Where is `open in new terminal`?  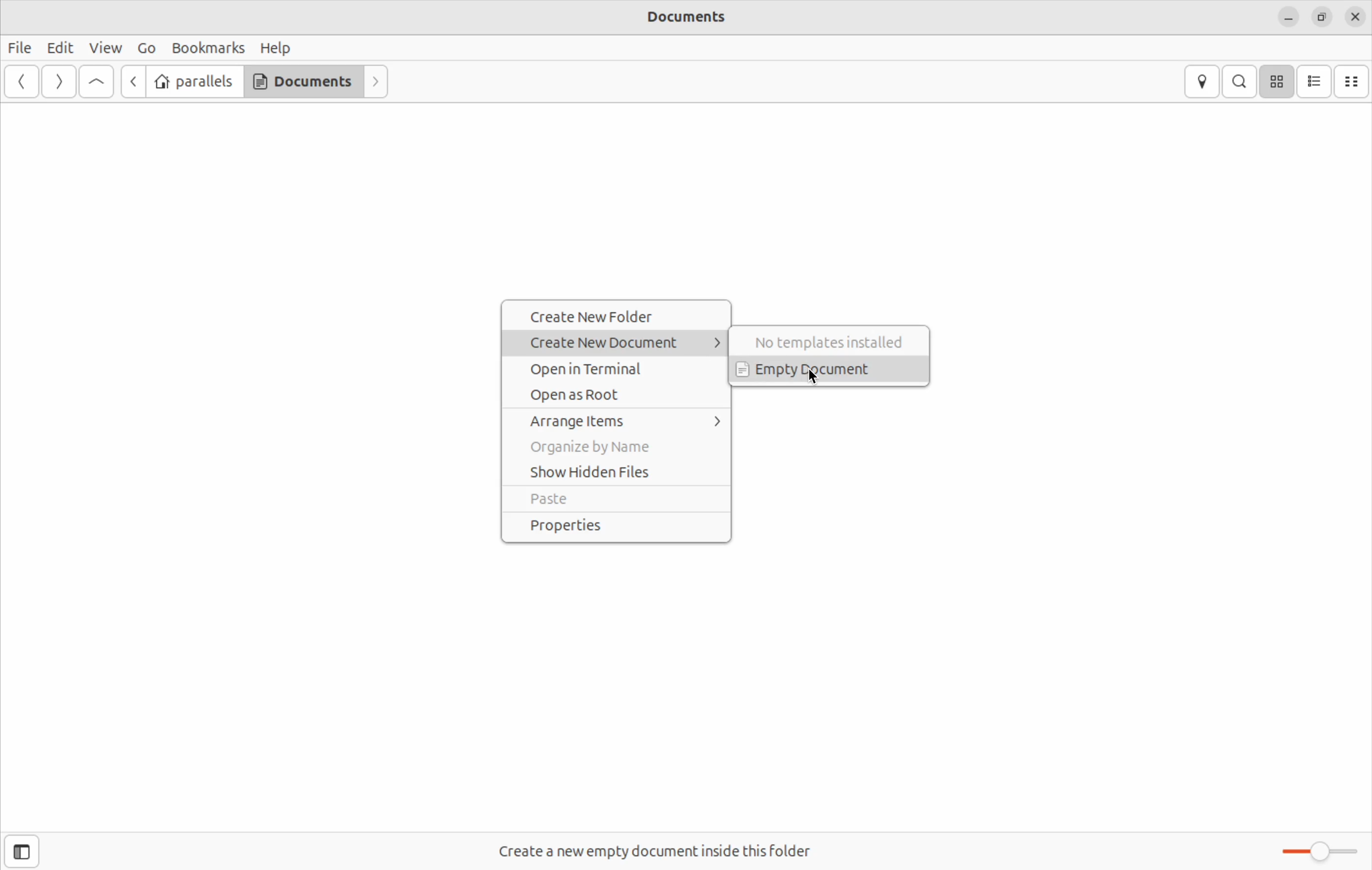 open in new terminal is located at coordinates (622, 366).